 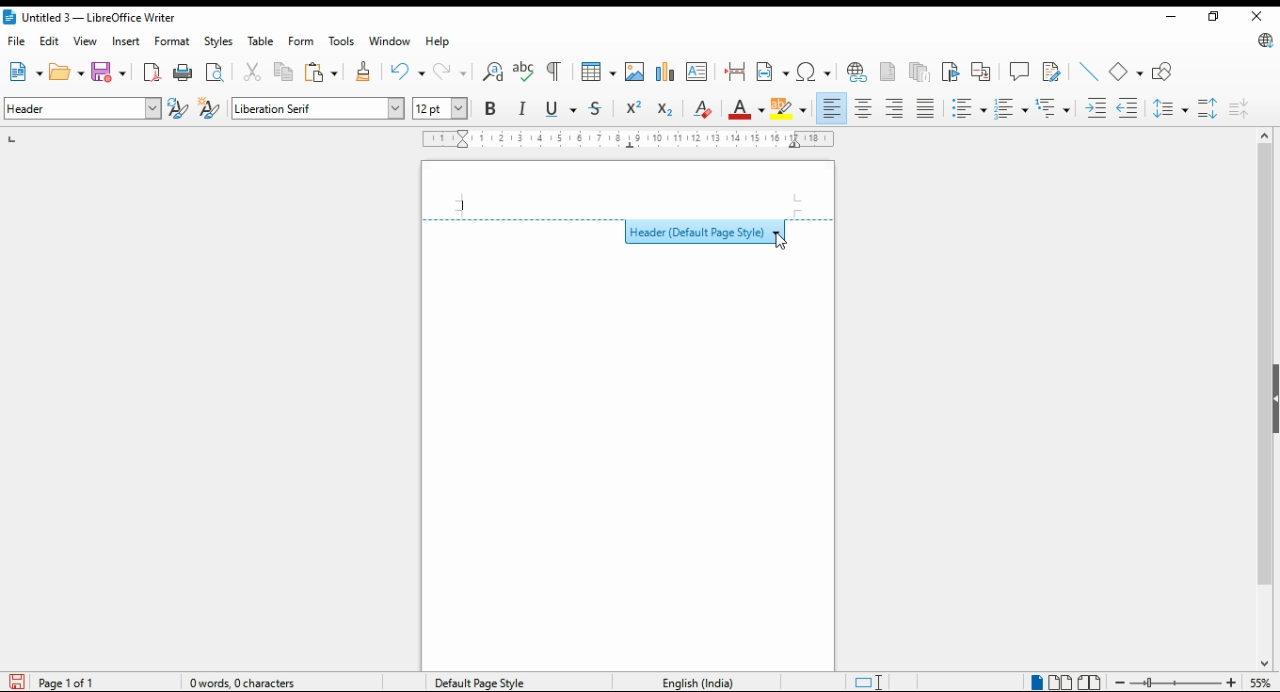 What do you see at coordinates (871, 682) in the screenshot?
I see `toggle cursor` at bounding box center [871, 682].